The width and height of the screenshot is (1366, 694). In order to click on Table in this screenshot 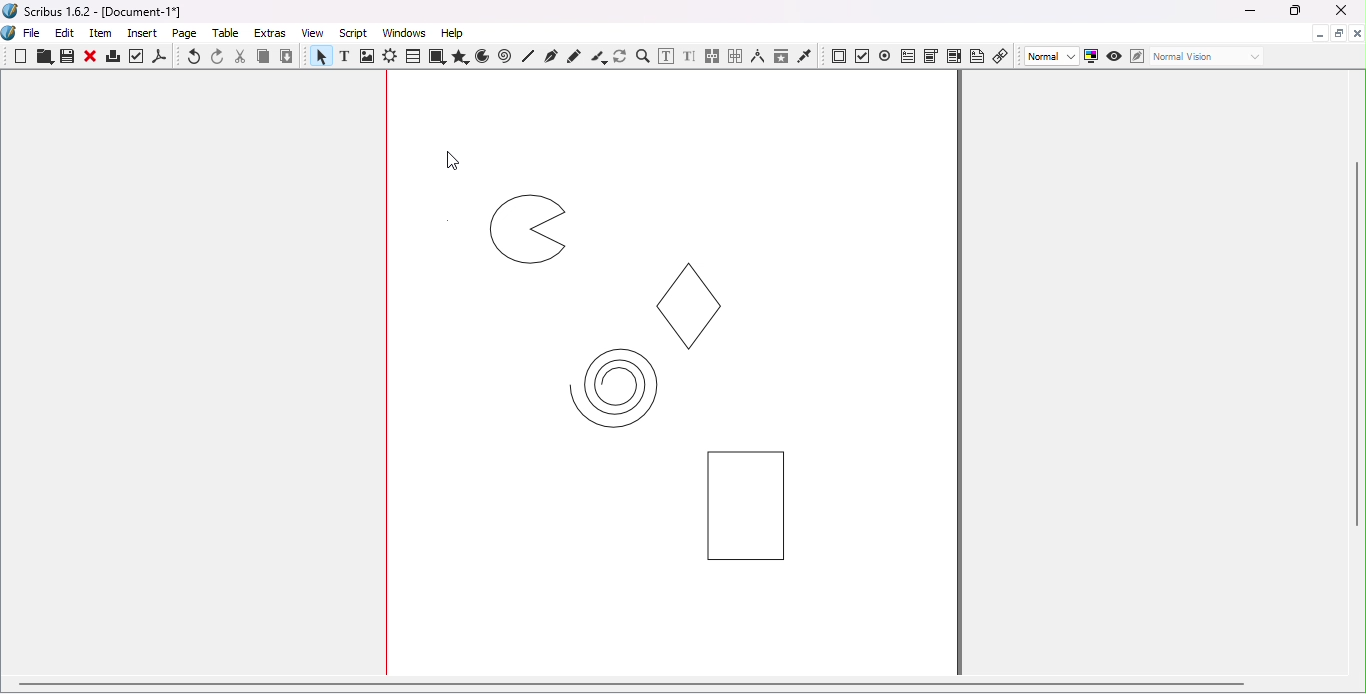, I will do `click(412, 57)`.